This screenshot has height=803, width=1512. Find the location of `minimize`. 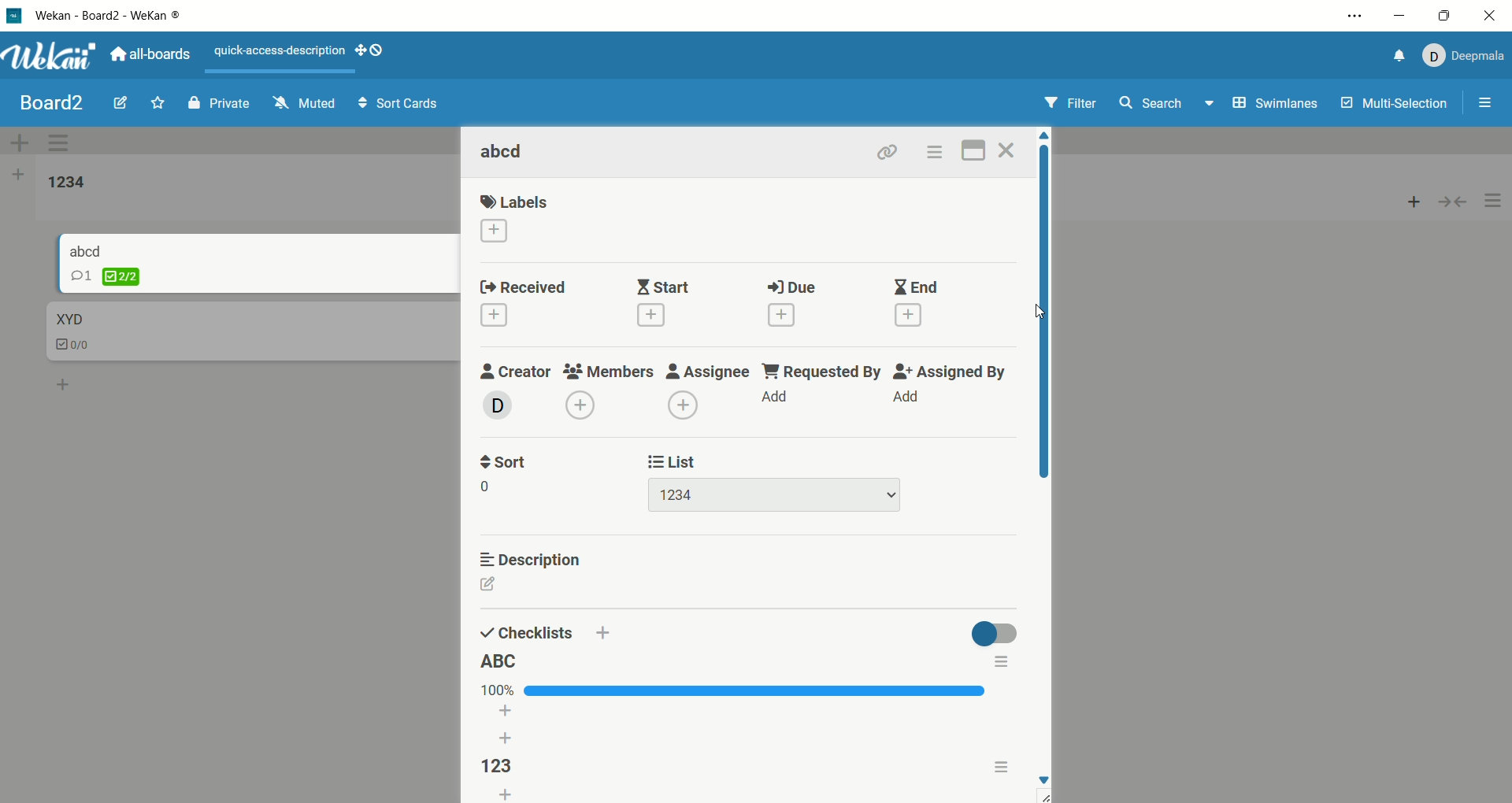

minimize is located at coordinates (1400, 17).